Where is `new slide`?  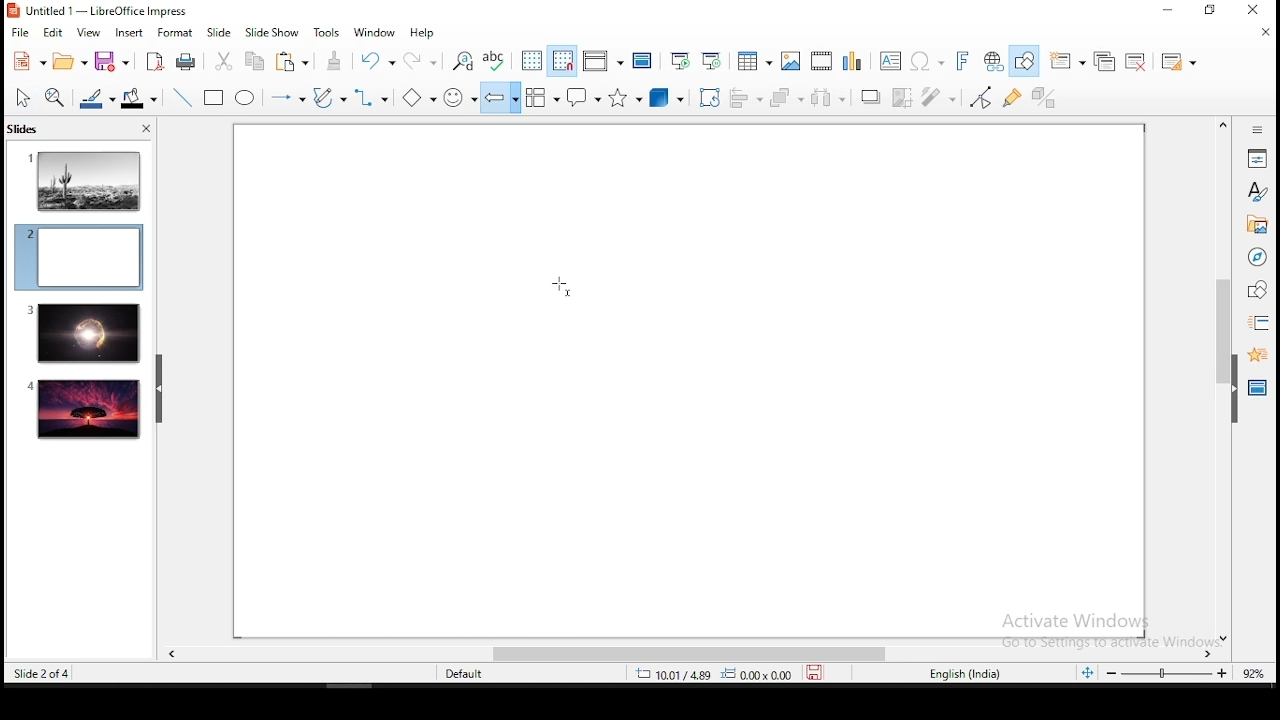
new slide is located at coordinates (1069, 60).